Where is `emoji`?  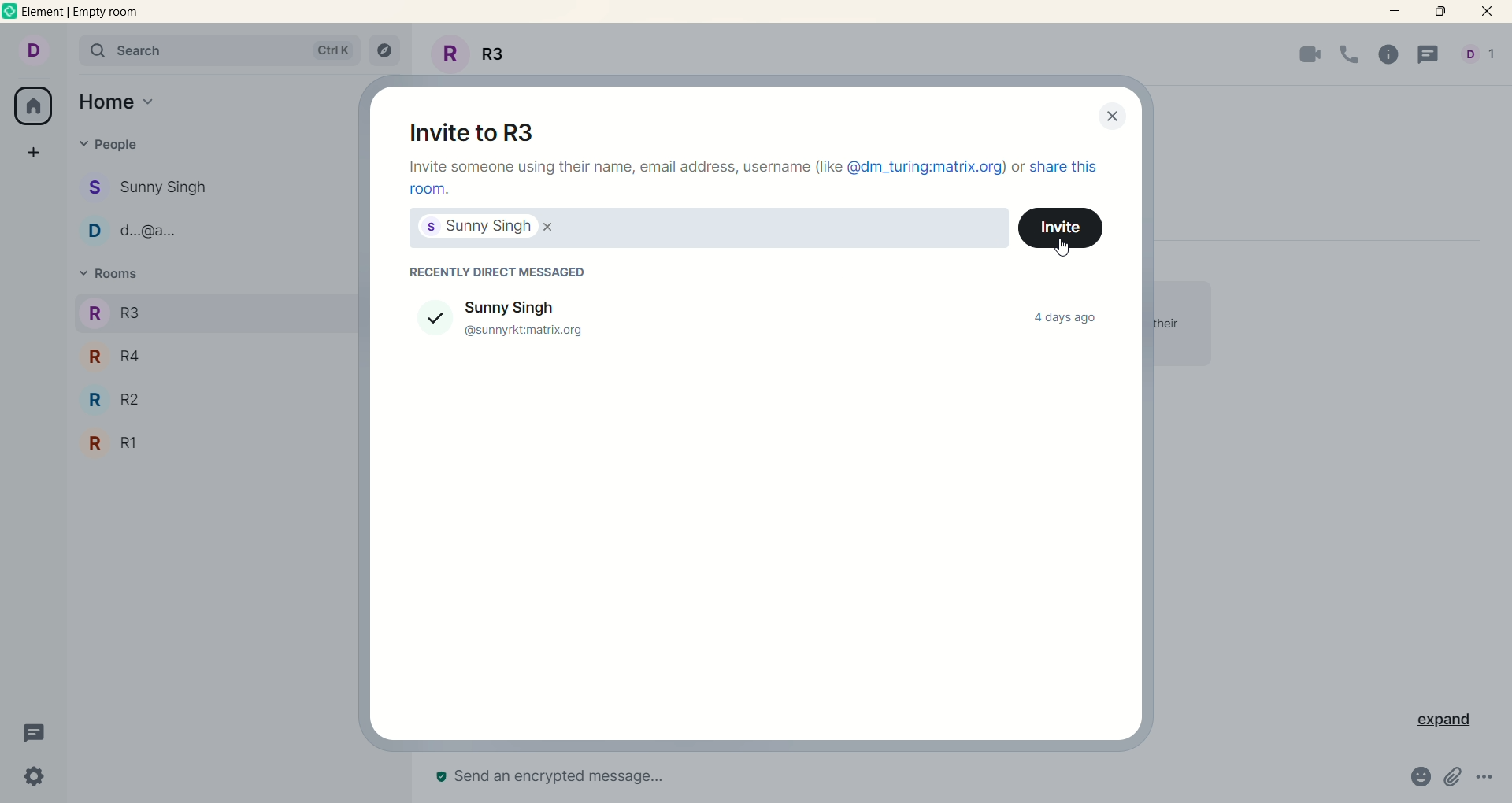
emoji is located at coordinates (1414, 778).